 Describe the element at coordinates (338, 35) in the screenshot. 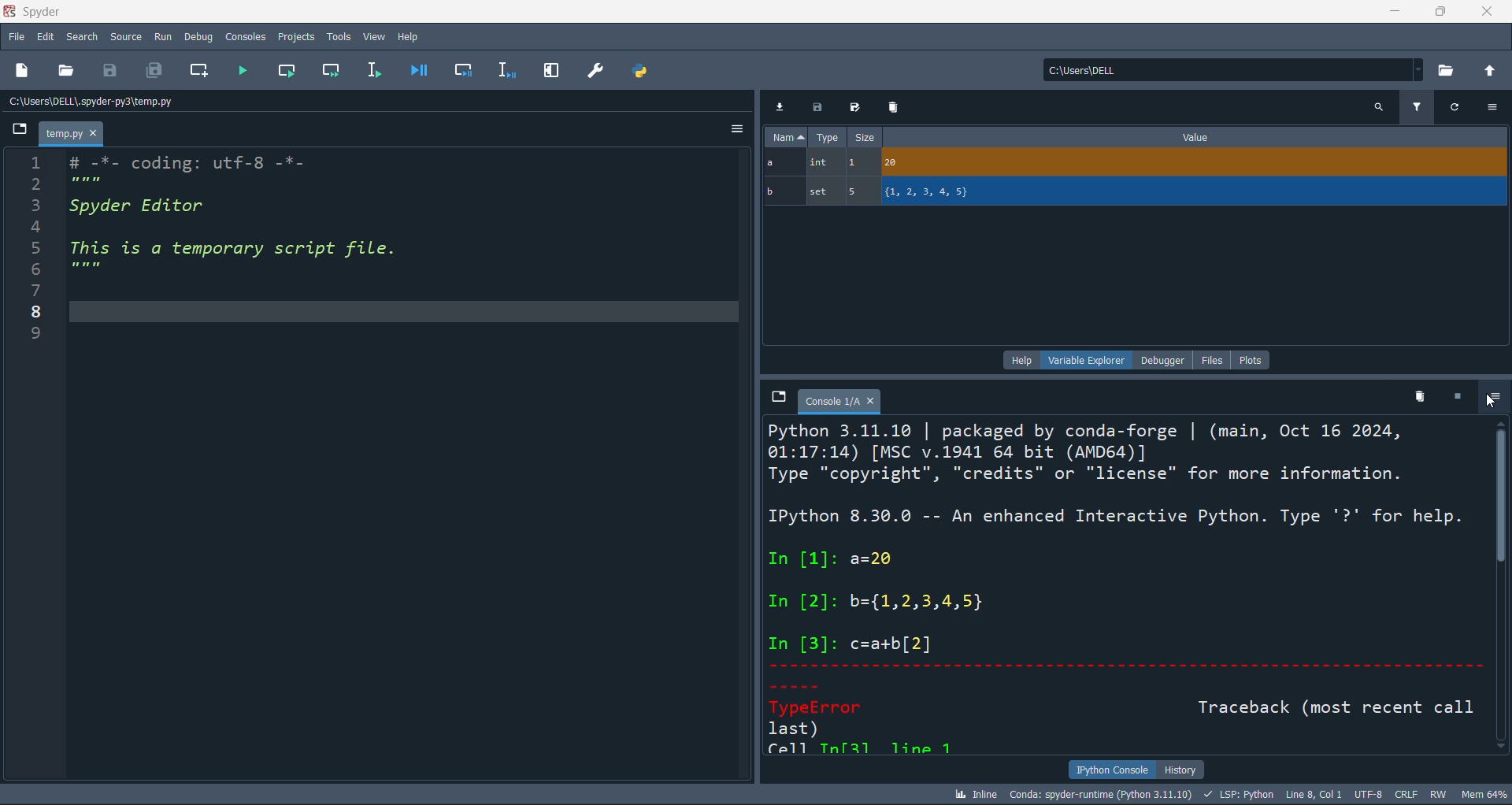

I see `TOOLS` at that location.